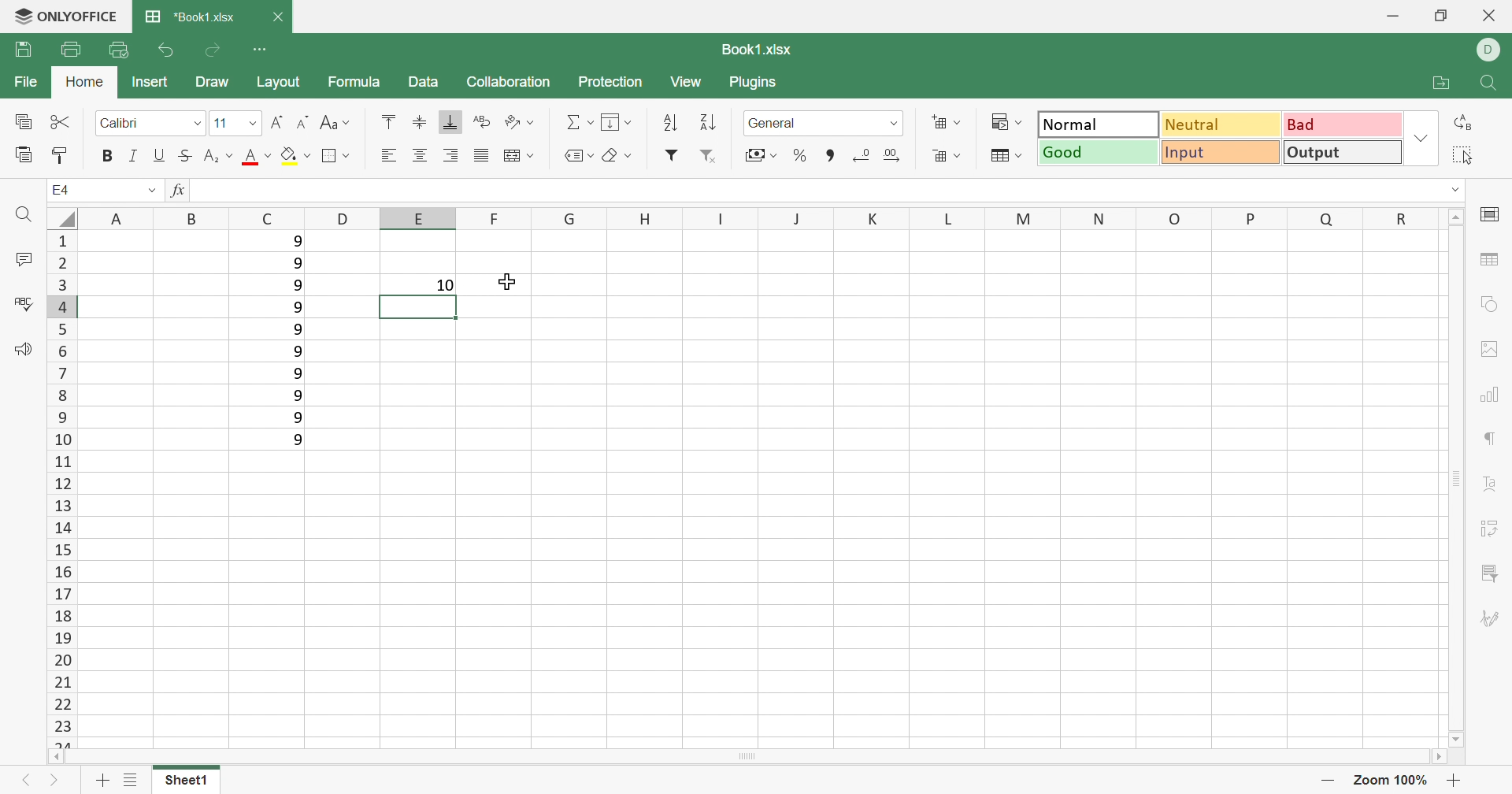 This screenshot has height=794, width=1512. I want to click on Zoom in, so click(1455, 781).